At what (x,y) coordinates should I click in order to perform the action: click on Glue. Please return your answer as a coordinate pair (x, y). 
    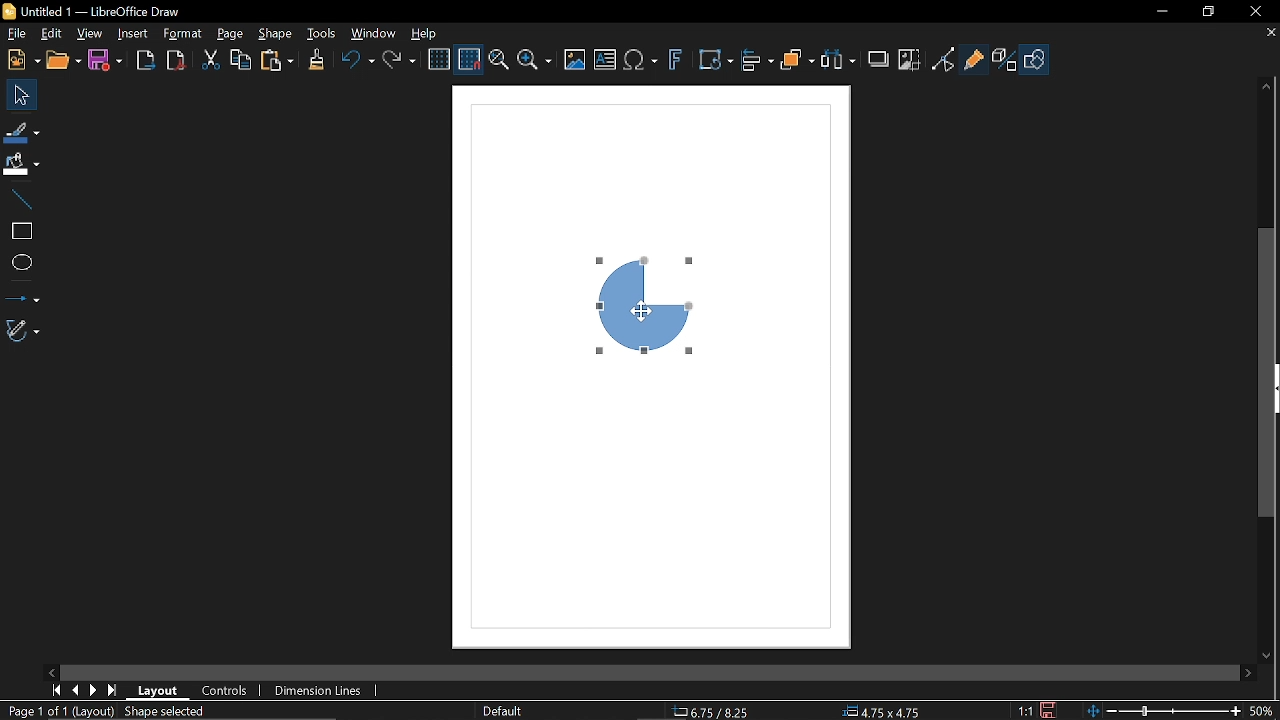
    Looking at the image, I should click on (974, 58).